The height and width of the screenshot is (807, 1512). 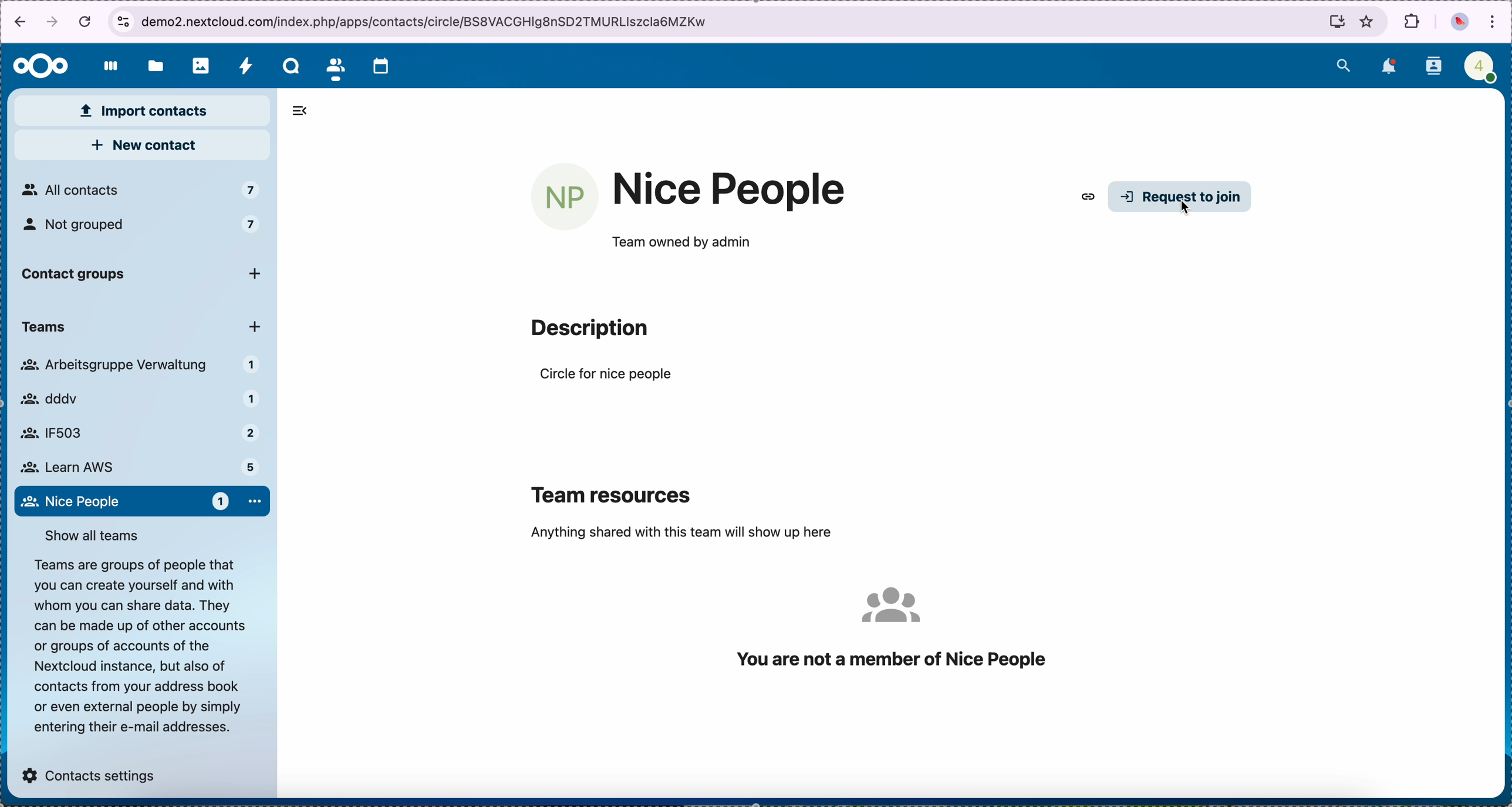 What do you see at coordinates (1192, 214) in the screenshot?
I see `cursor` at bounding box center [1192, 214].